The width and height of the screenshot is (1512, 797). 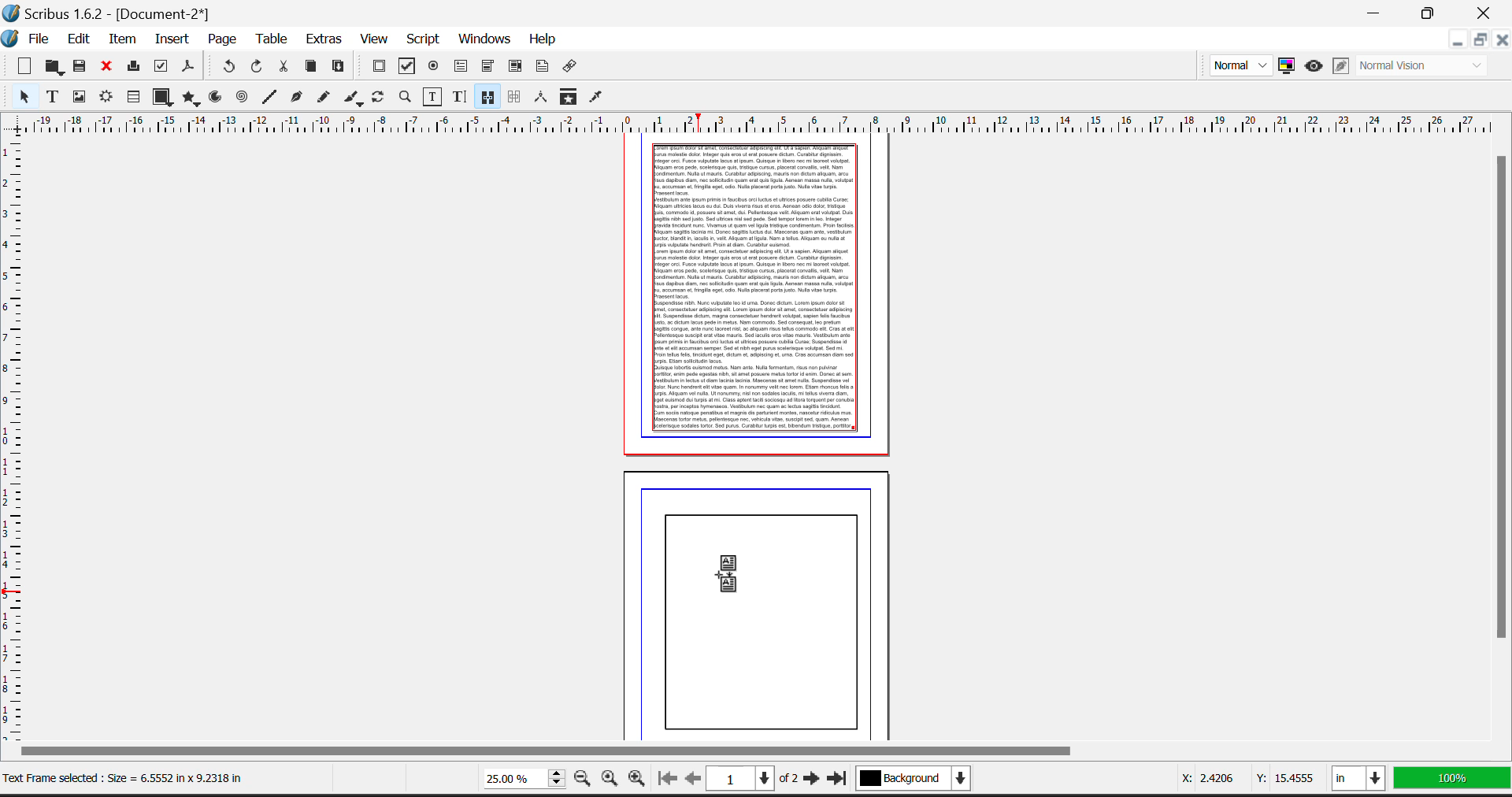 What do you see at coordinates (516, 97) in the screenshot?
I see `Delink Text Frames` at bounding box center [516, 97].